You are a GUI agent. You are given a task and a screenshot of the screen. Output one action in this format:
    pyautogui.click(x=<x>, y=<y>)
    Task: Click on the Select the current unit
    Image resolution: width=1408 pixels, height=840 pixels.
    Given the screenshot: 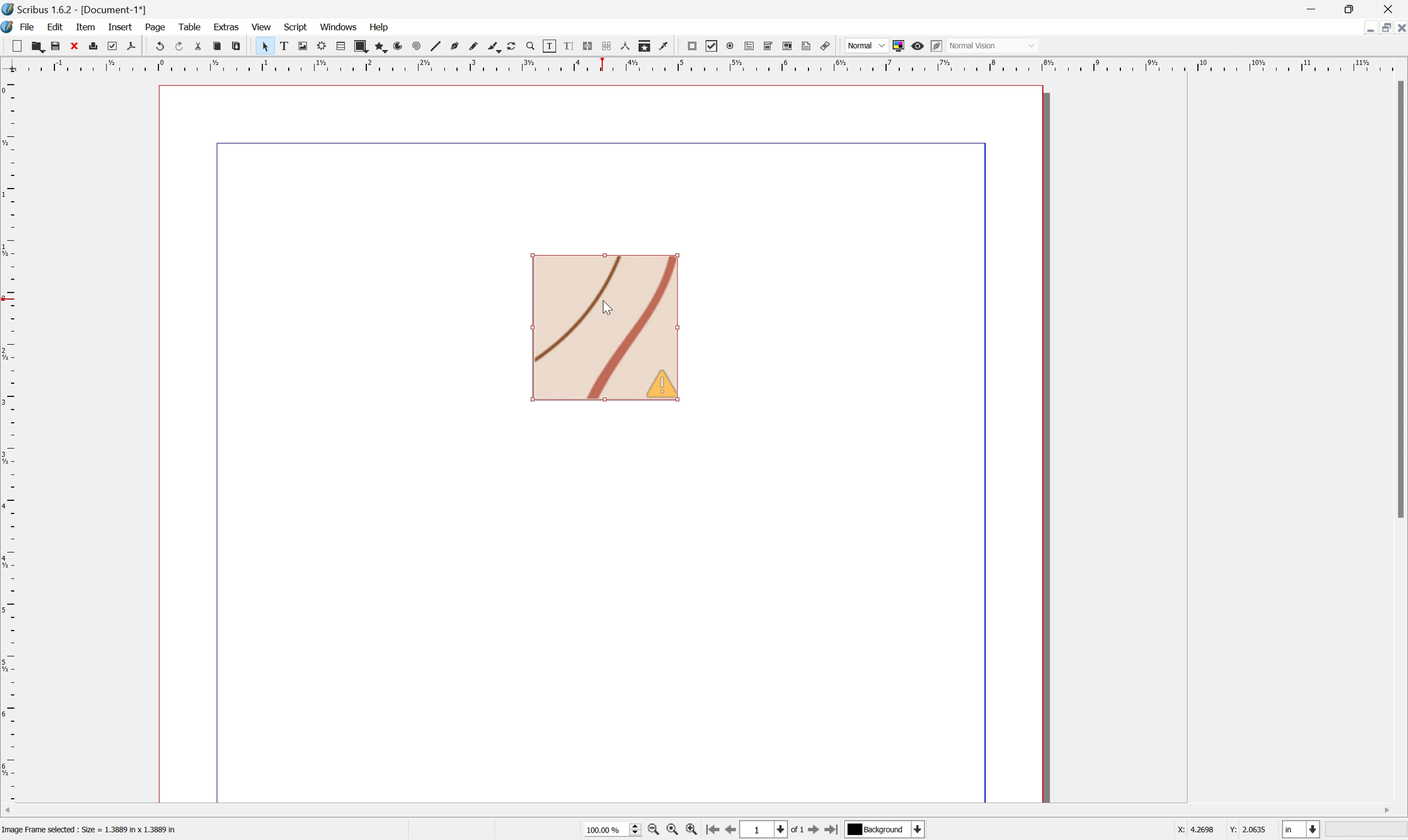 What is the action you would take?
    pyautogui.click(x=1300, y=830)
    